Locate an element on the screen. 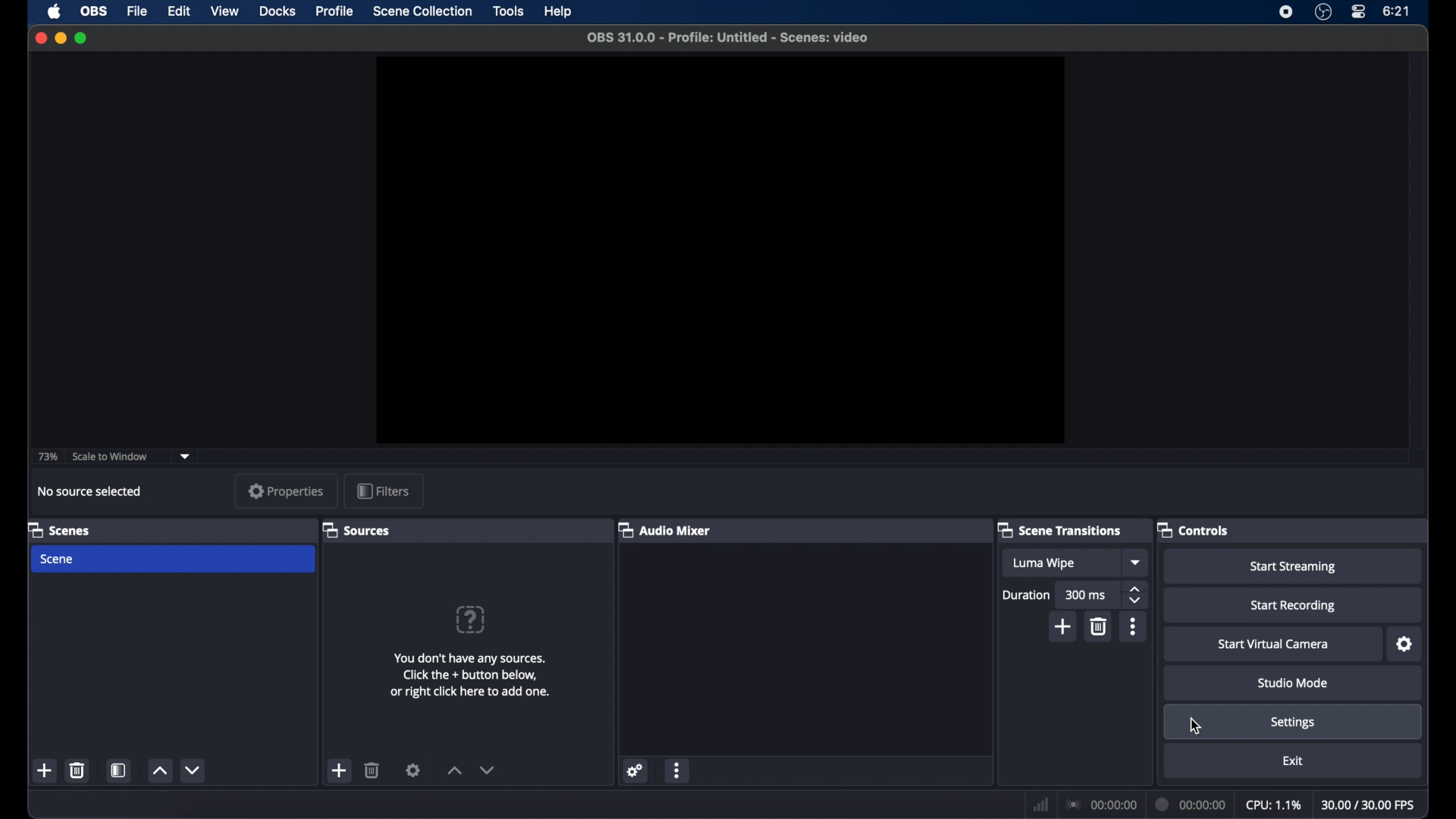  scene is located at coordinates (58, 560).